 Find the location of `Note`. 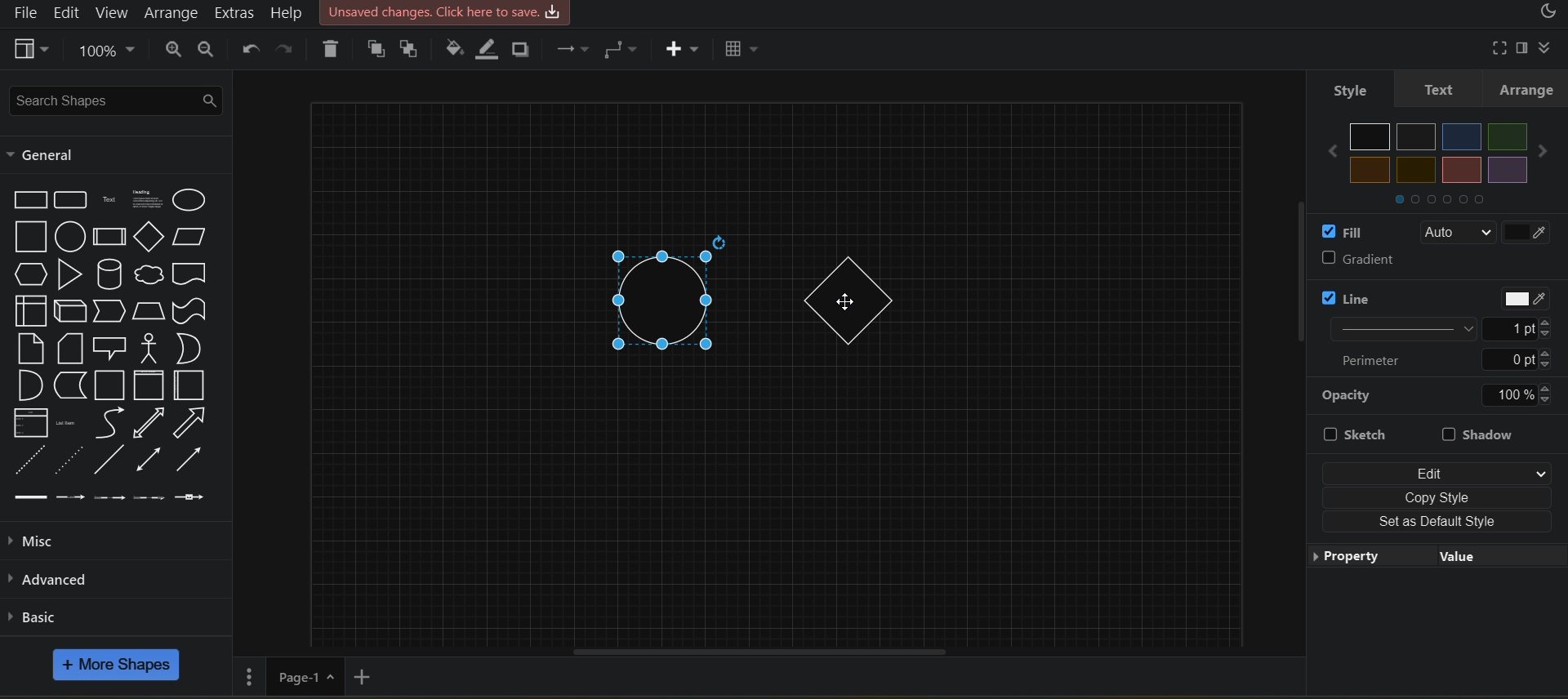

Note is located at coordinates (30, 348).